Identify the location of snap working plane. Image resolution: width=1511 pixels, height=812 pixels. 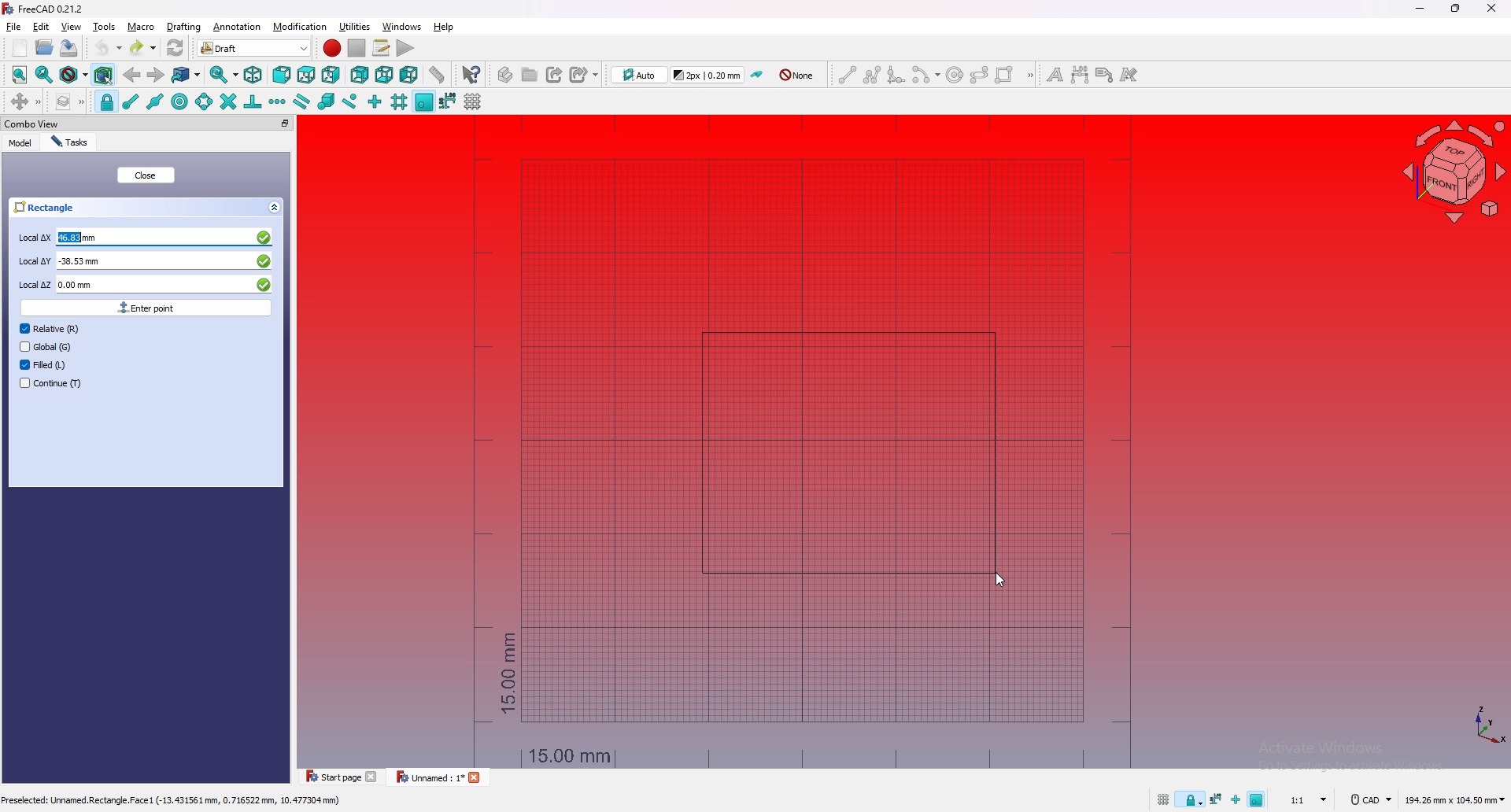
(425, 101).